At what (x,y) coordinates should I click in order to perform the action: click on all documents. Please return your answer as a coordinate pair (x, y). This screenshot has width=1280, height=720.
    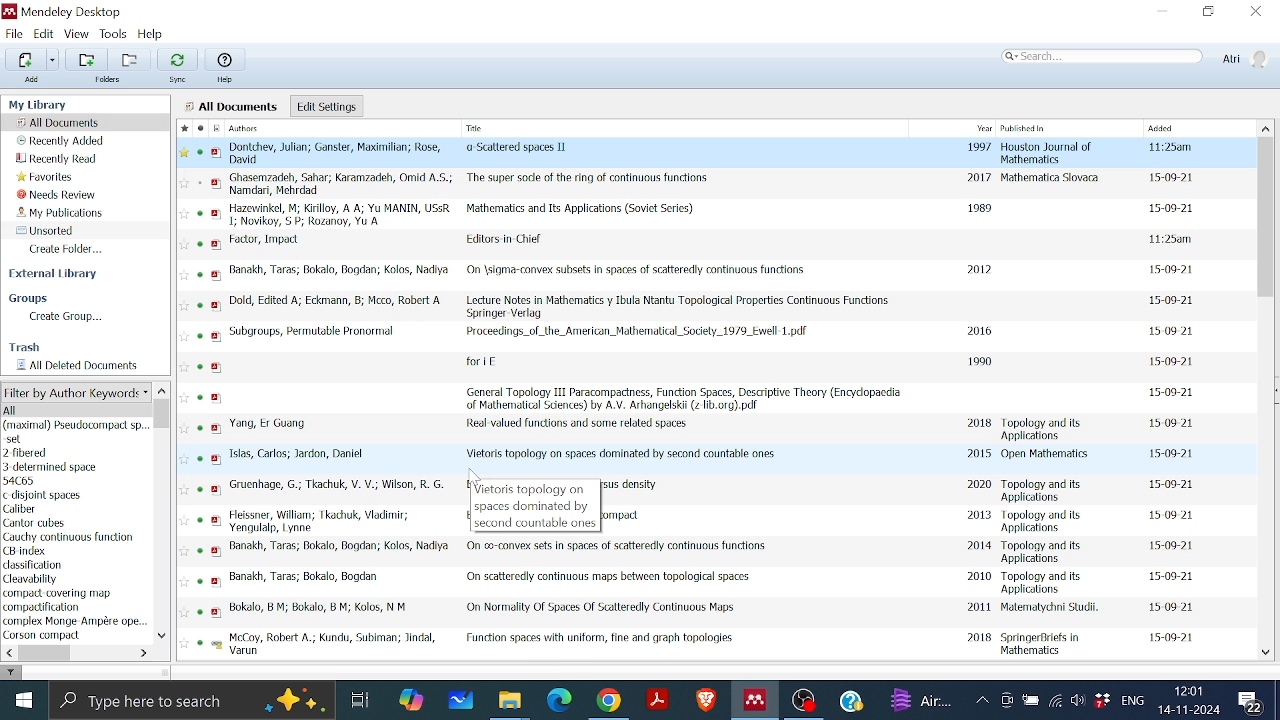
    Looking at the image, I should click on (230, 107).